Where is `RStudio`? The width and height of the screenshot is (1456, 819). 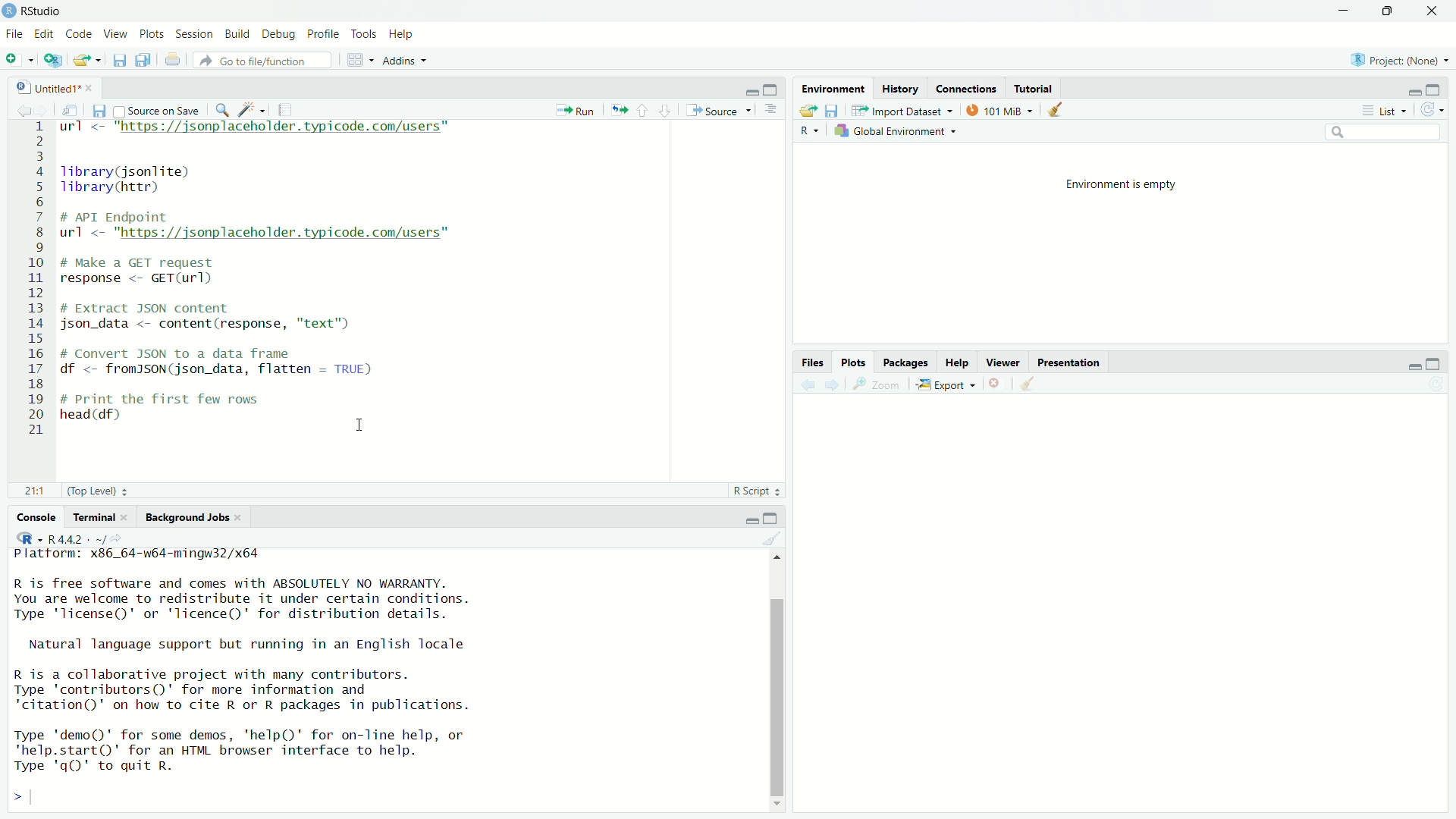
RStudio is located at coordinates (33, 11).